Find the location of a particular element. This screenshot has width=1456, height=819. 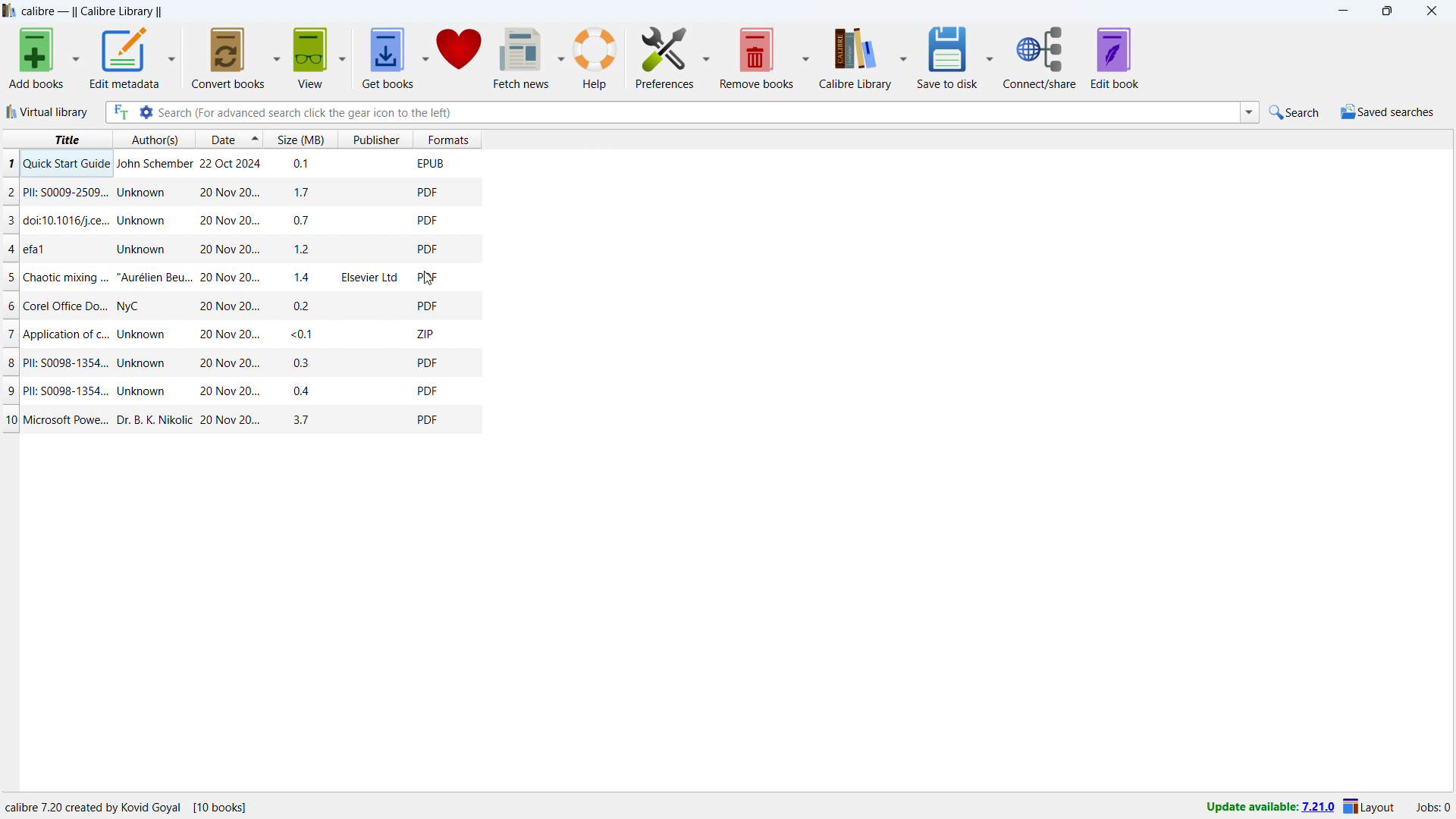

get books is located at coordinates (387, 57).